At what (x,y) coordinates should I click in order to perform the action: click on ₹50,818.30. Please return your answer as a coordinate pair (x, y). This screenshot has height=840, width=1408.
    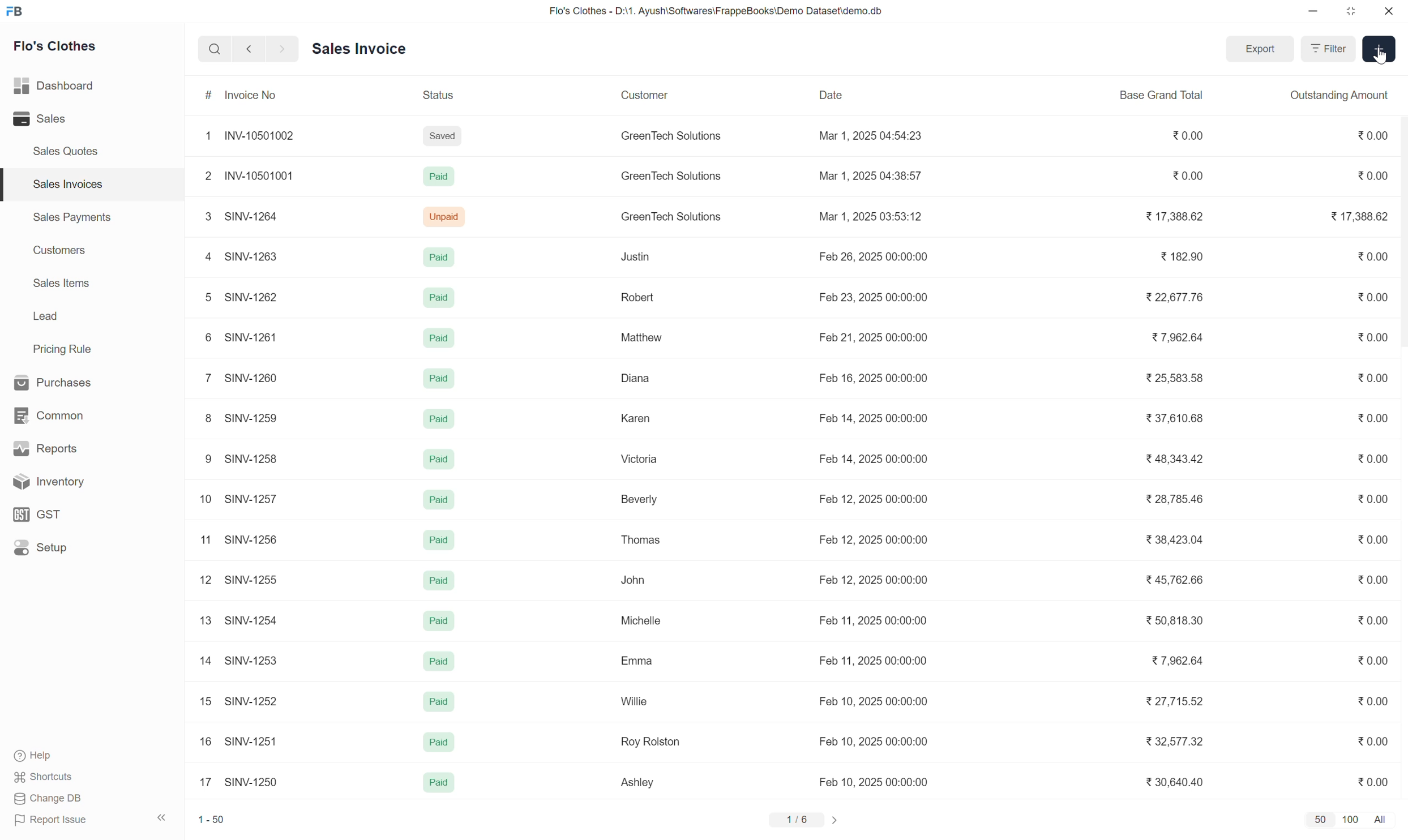
    Looking at the image, I should click on (1164, 623).